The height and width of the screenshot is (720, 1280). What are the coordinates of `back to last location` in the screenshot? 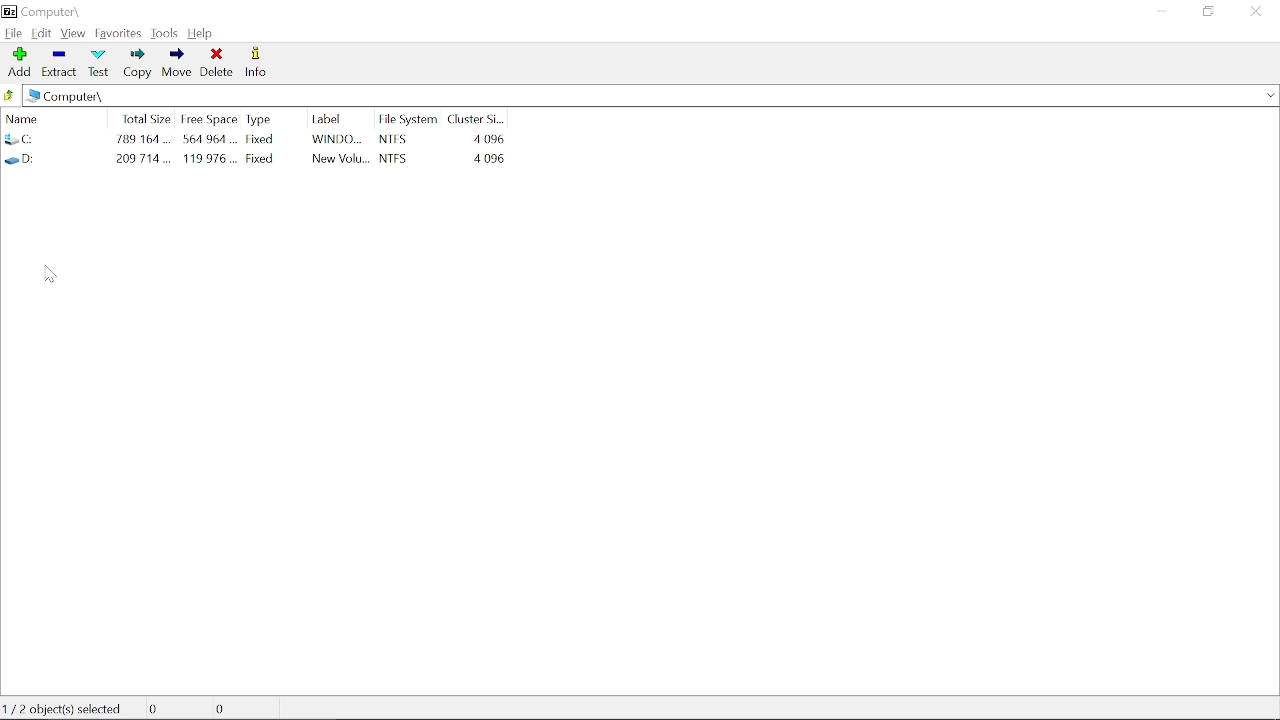 It's located at (11, 97).